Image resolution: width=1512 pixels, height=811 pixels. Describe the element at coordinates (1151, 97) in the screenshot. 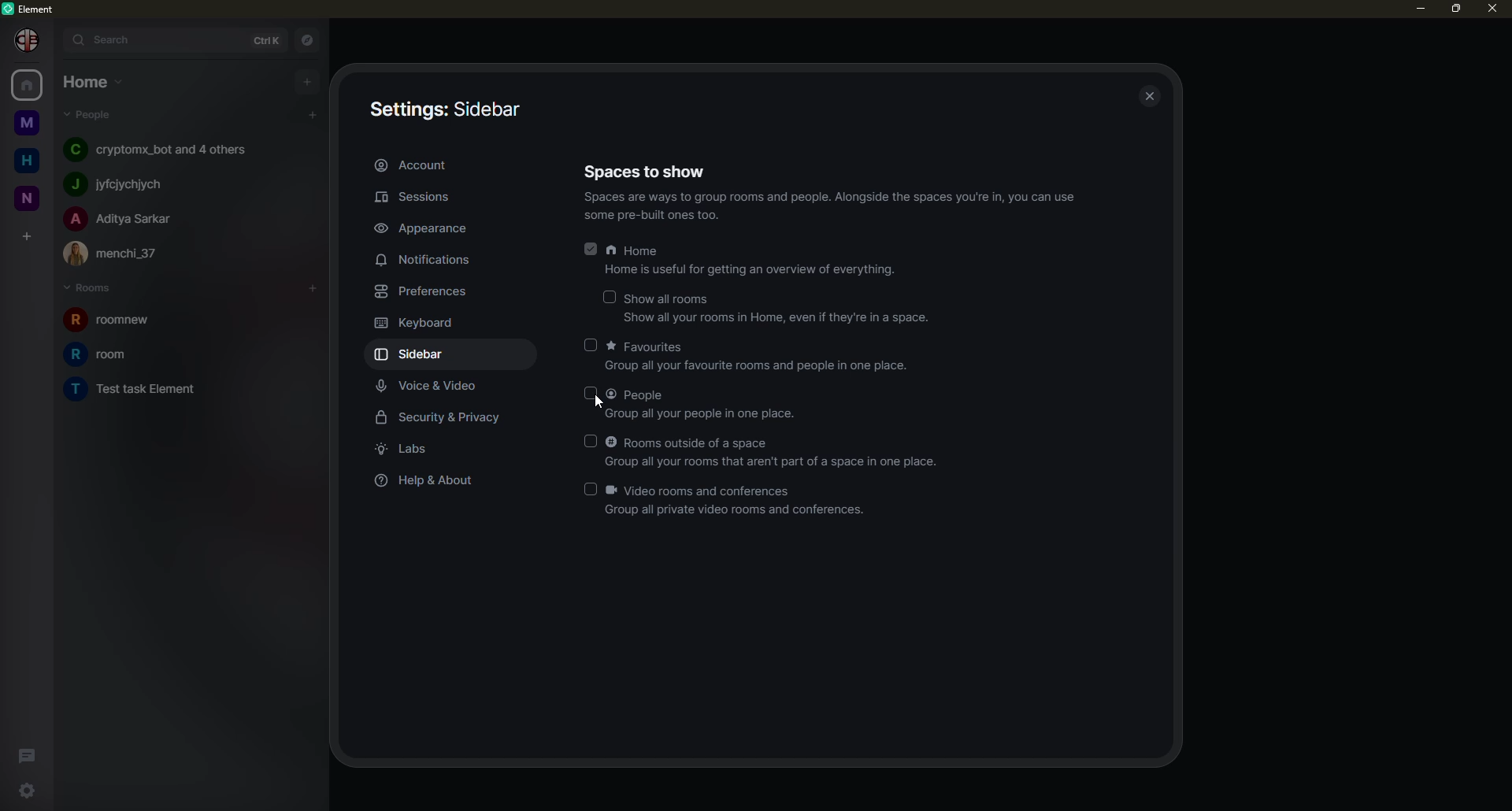

I see `close` at that location.